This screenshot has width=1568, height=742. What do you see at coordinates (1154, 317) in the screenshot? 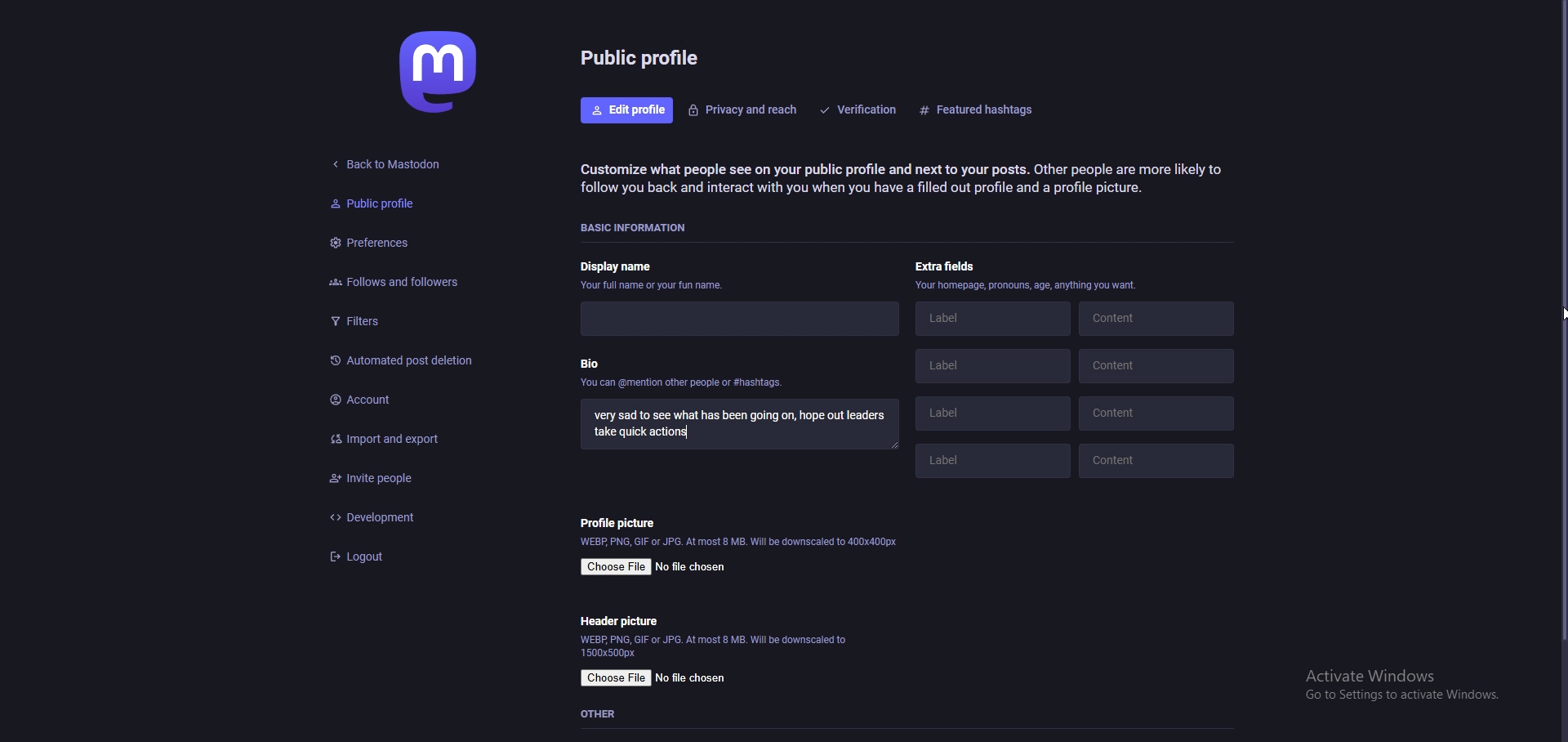
I see `content` at bounding box center [1154, 317].